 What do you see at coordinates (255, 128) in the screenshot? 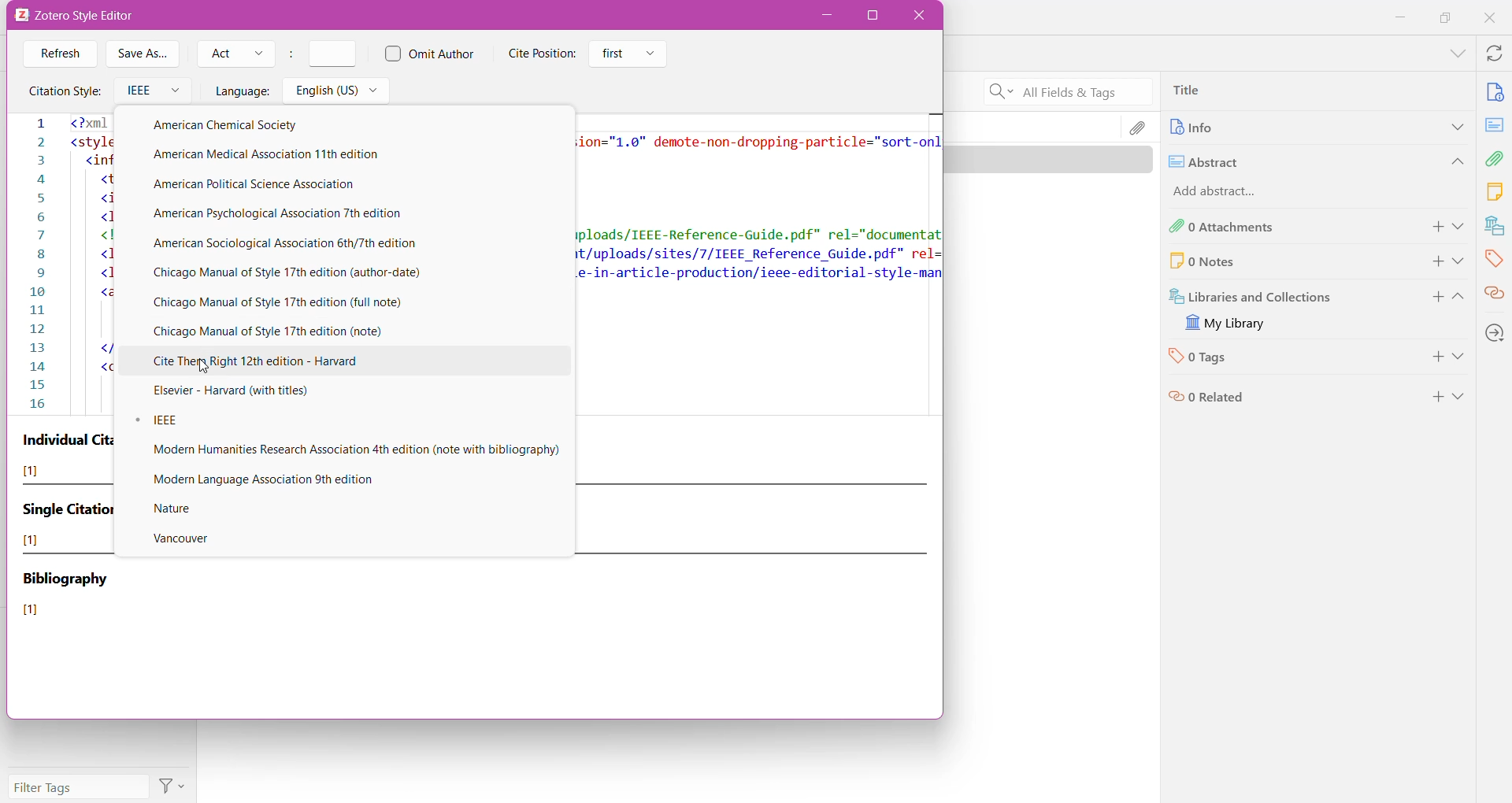
I see `American Chemical Society` at bounding box center [255, 128].